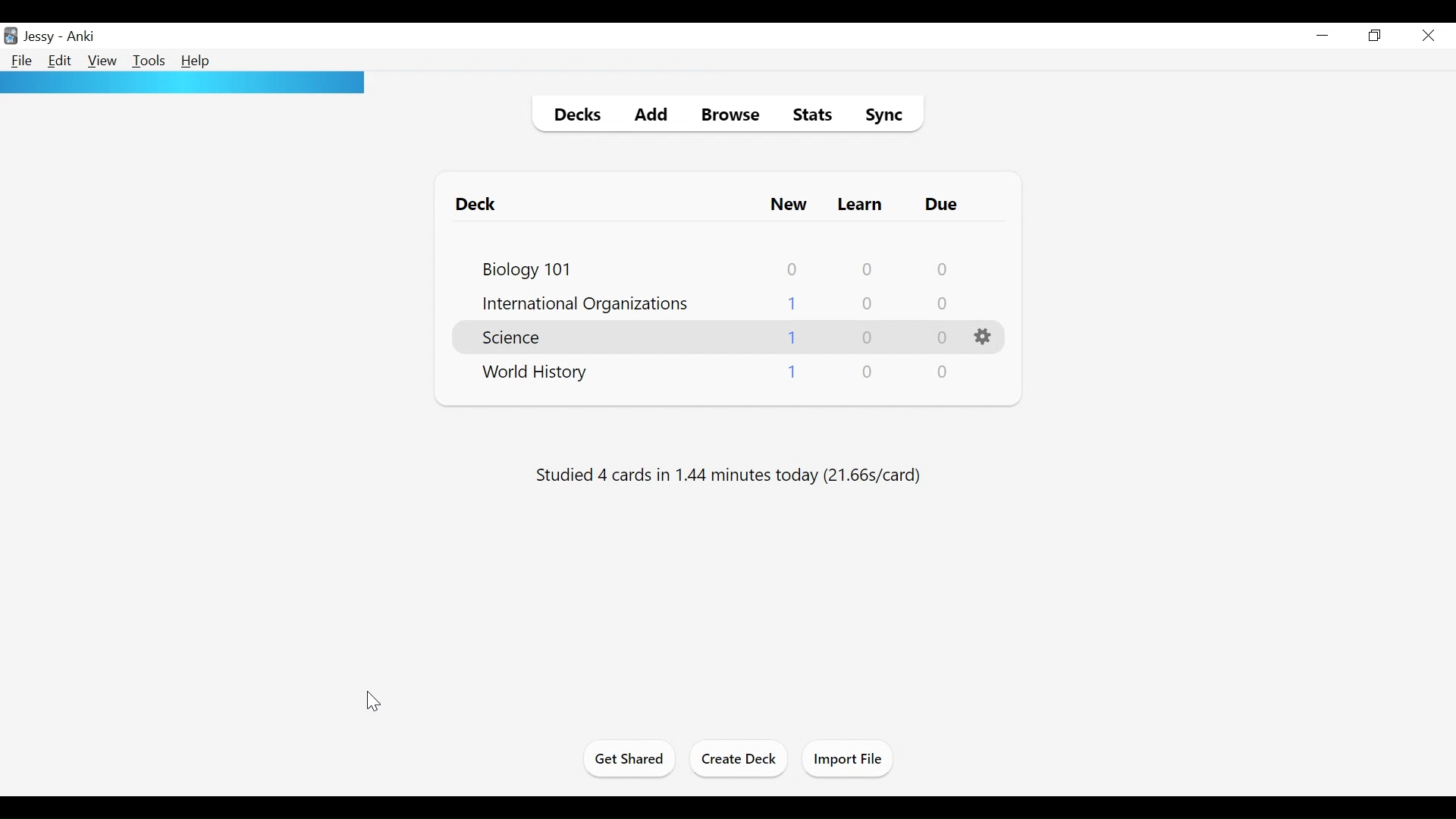  I want to click on Due Cards Count, so click(943, 269).